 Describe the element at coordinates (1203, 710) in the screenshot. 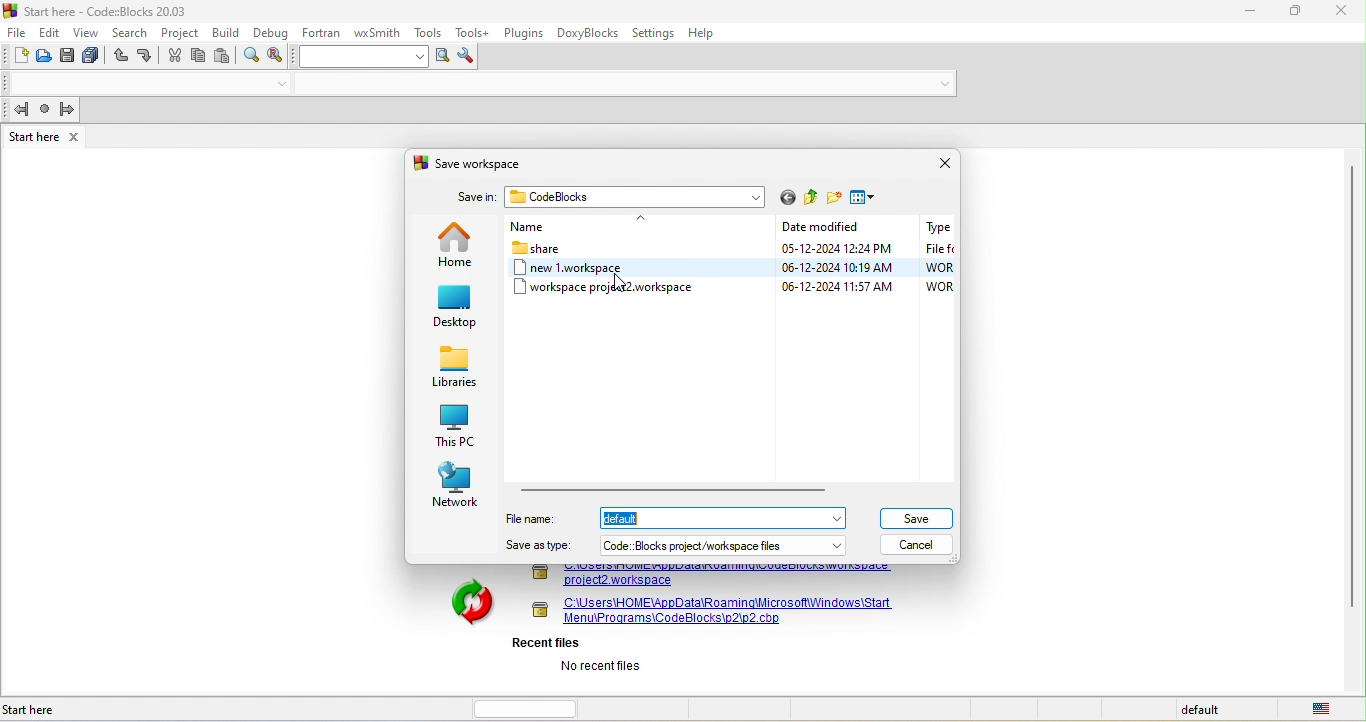

I see `default` at that location.